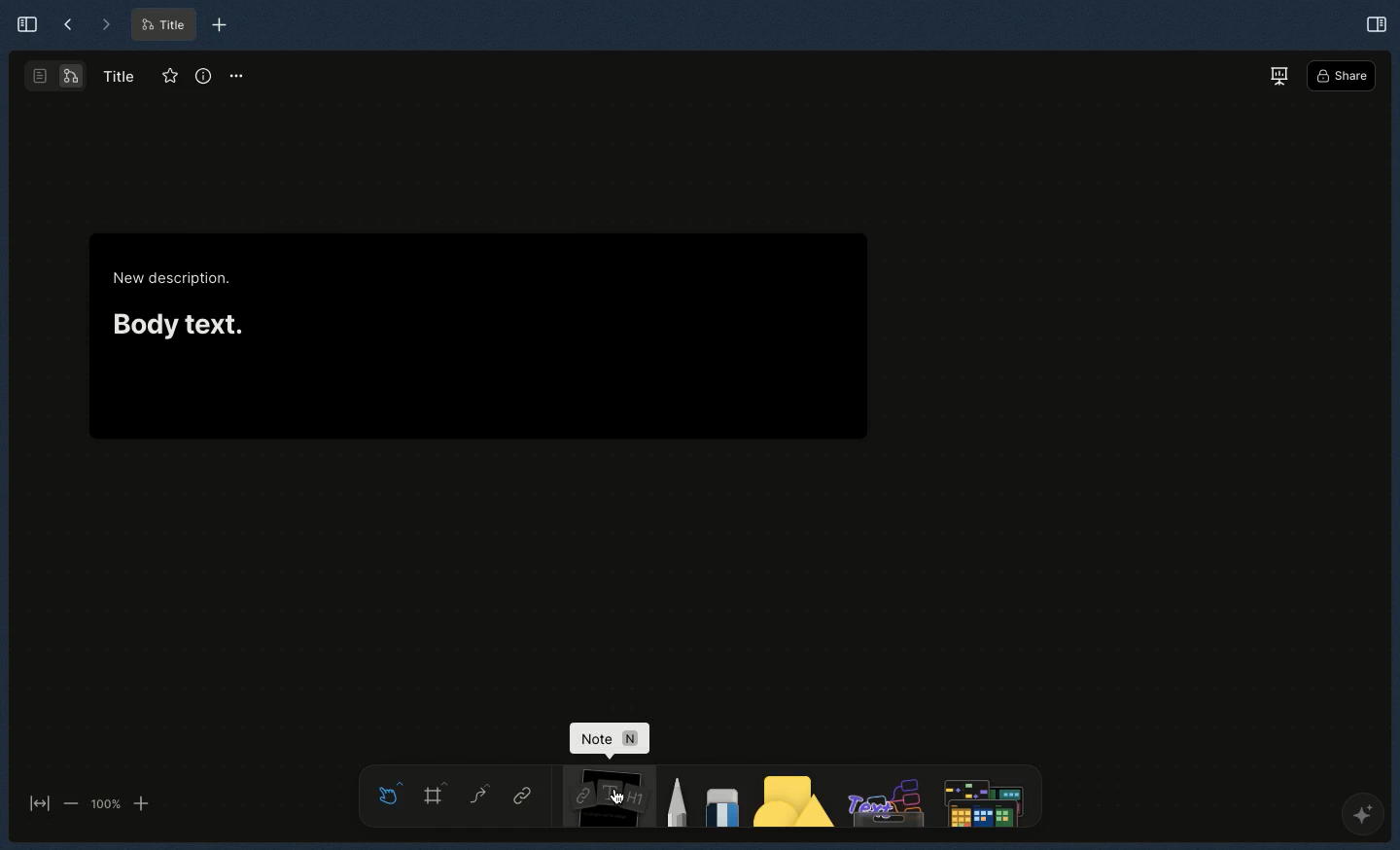 The height and width of the screenshot is (850, 1400). I want to click on 100%, so click(105, 804).